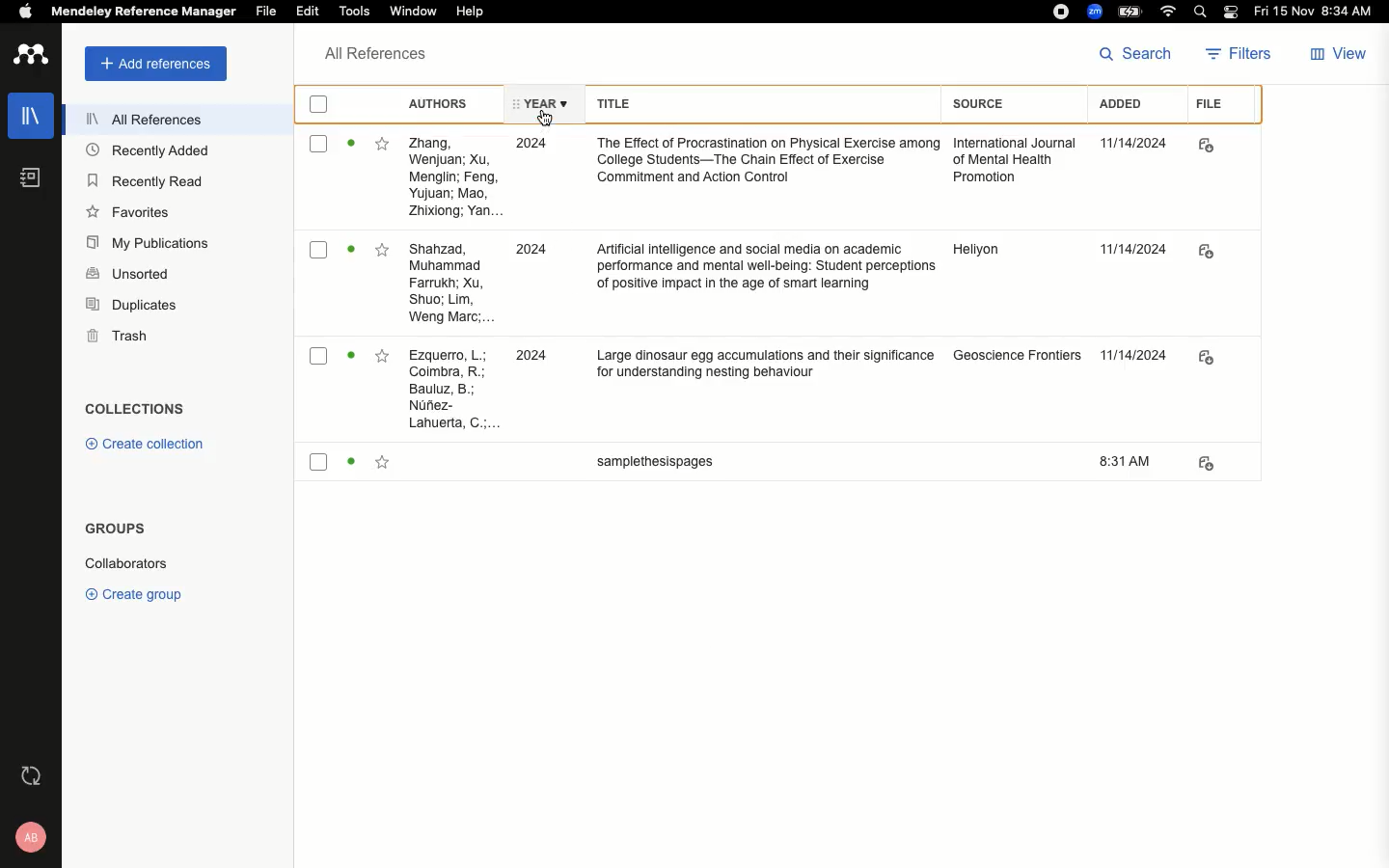  What do you see at coordinates (29, 835) in the screenshot?
I see `Account and help` at bounding box center [29, 835].